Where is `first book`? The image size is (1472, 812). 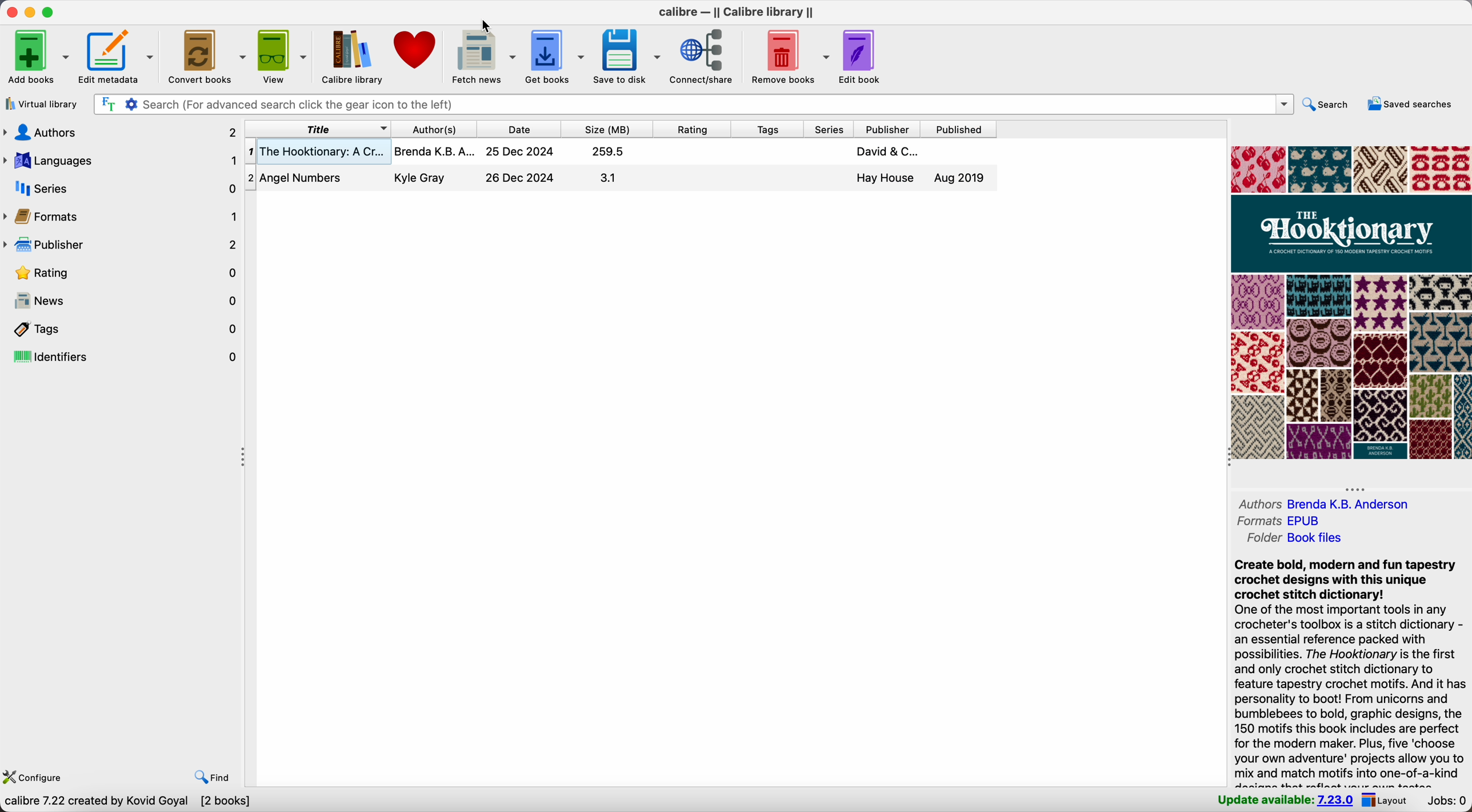
first book is located at coordinates (618, 154).